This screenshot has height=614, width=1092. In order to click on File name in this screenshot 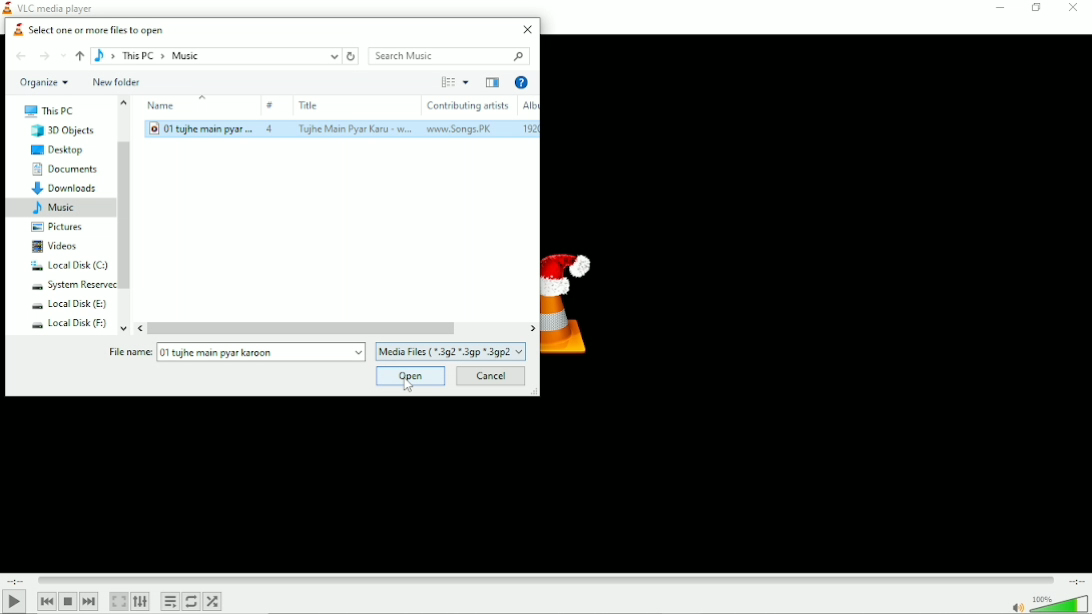, I will do `click(236, 353)`.